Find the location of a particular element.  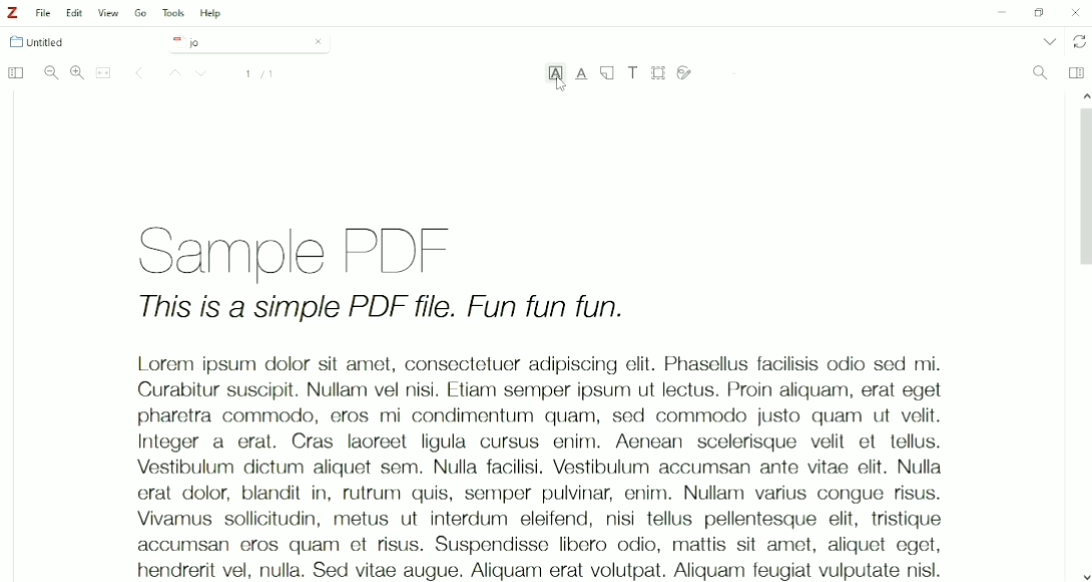

Toggle Sidebar is located at coordinates (14, 74).